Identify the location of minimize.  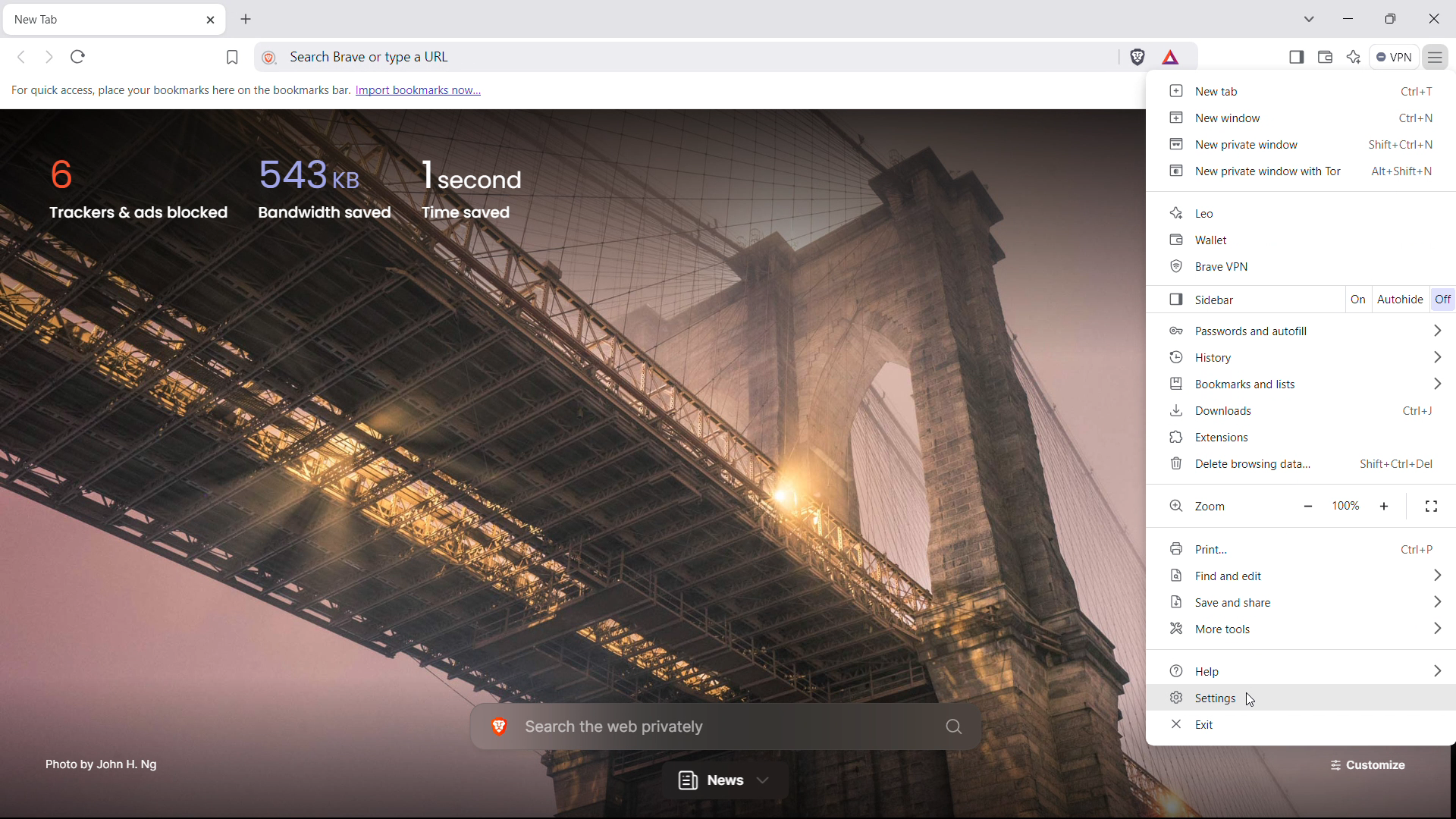
(1348, 20).